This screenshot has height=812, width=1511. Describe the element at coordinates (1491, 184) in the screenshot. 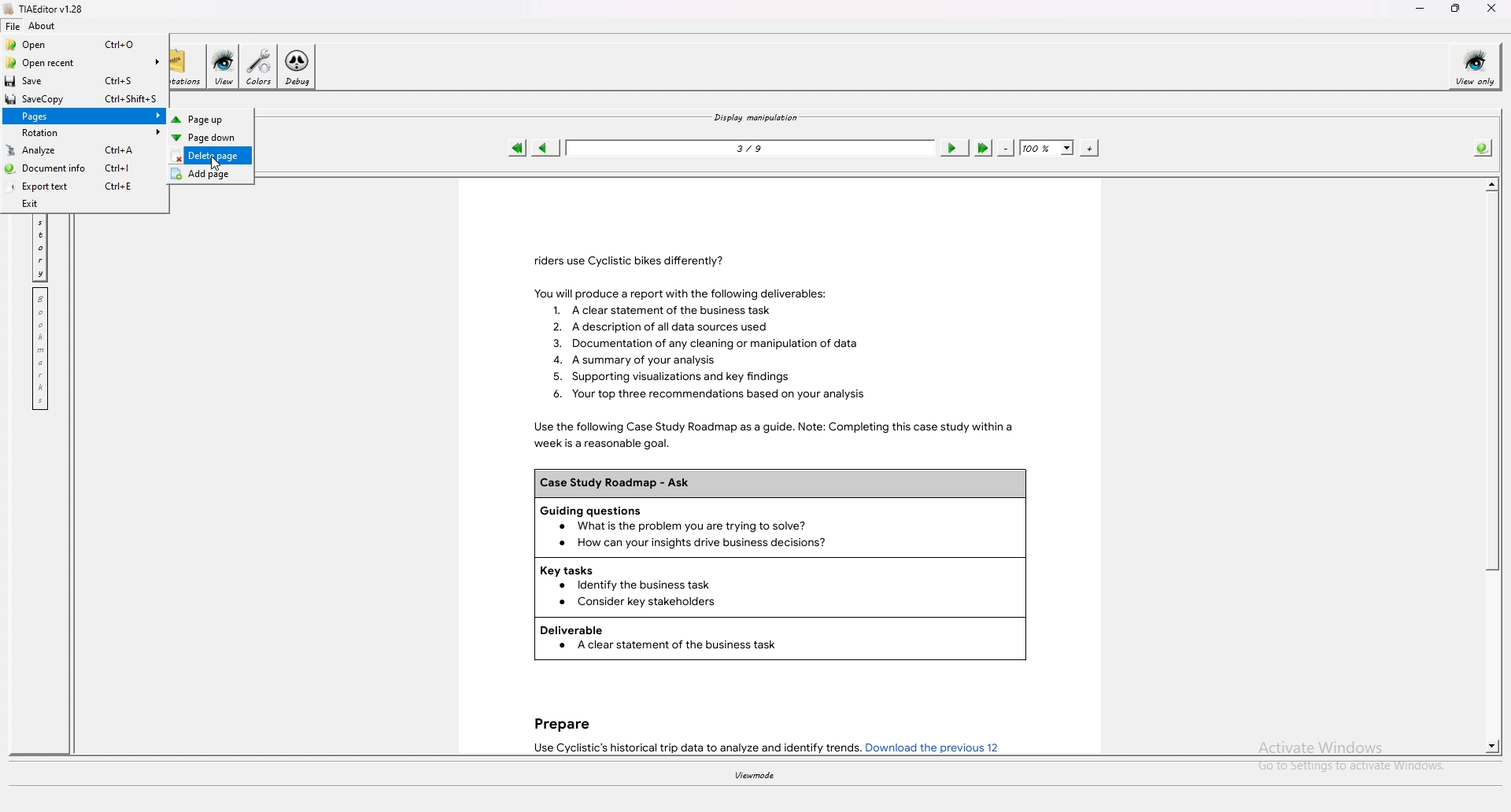

I see `scroll up` at that location.